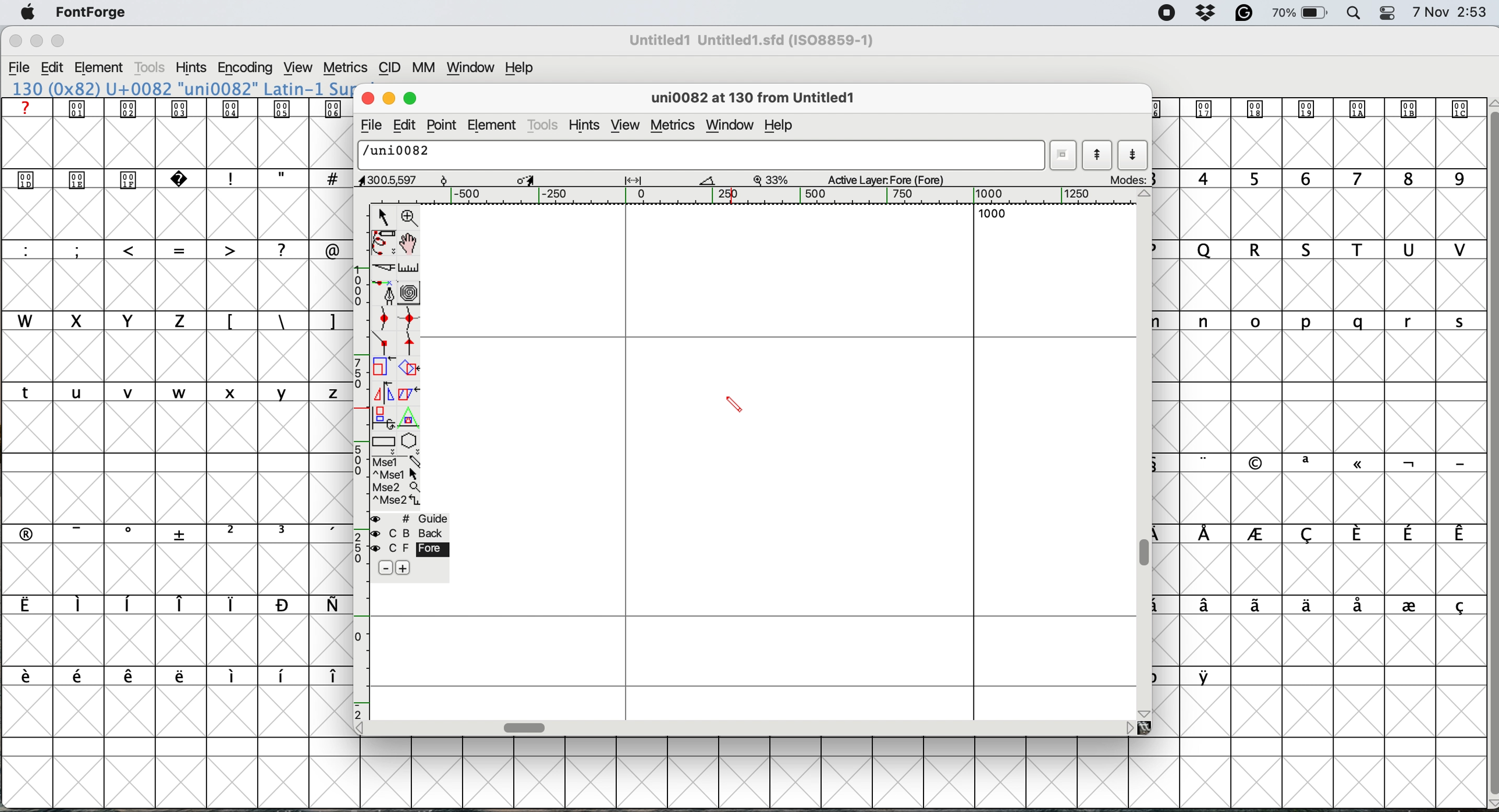  I want to click on maximise, so click(57, 40).